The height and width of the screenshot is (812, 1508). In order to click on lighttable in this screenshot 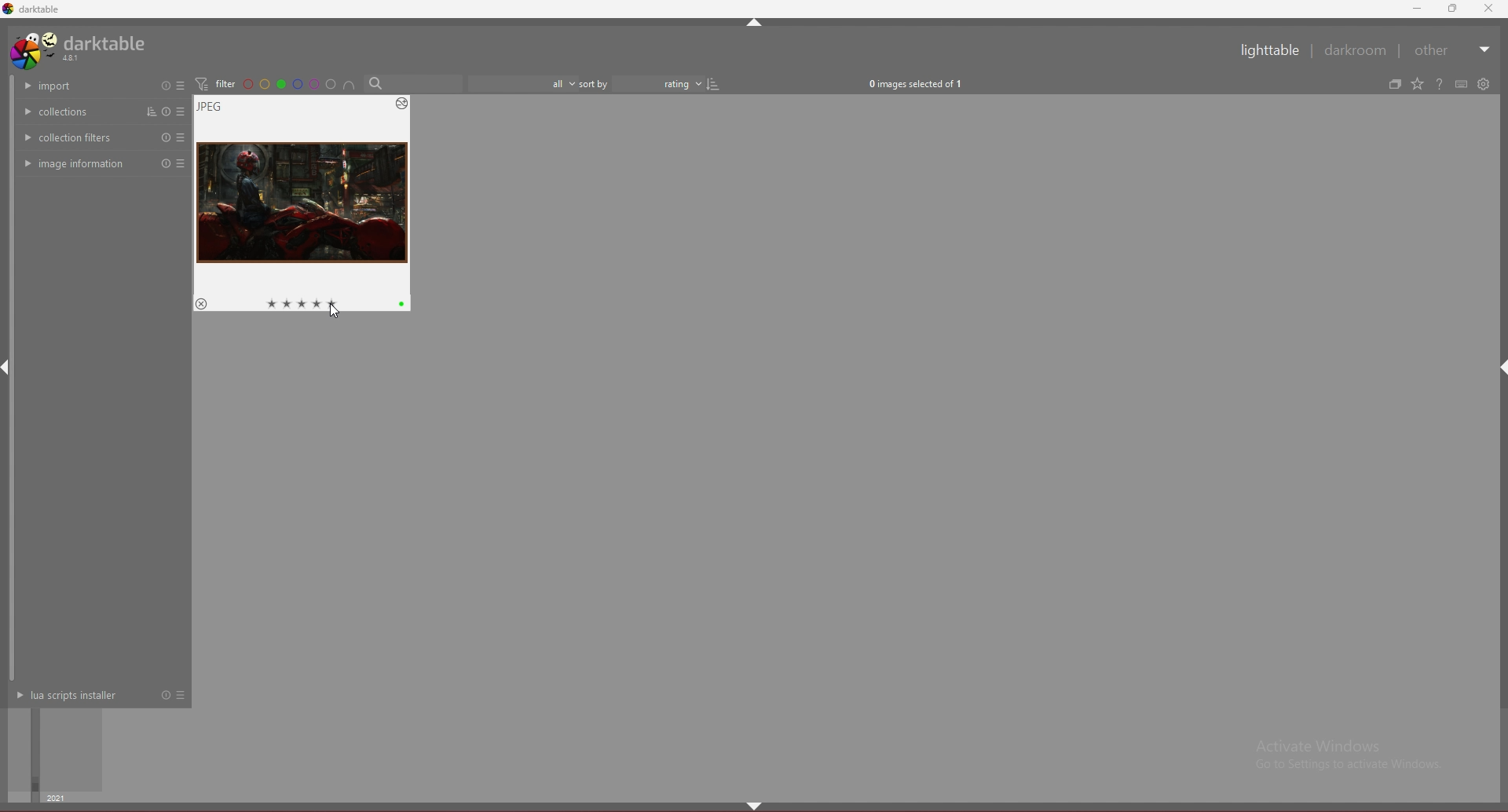, I will do `click(1272, 50)`.